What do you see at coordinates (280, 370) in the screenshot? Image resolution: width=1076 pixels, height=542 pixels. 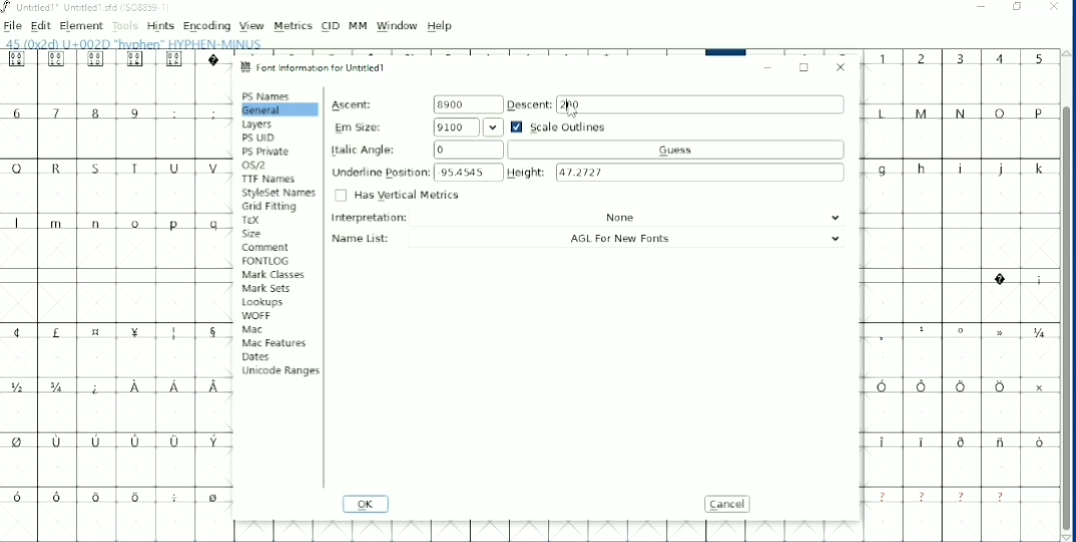 I see `Unicode Ranges` at bounding box center [280, 370].